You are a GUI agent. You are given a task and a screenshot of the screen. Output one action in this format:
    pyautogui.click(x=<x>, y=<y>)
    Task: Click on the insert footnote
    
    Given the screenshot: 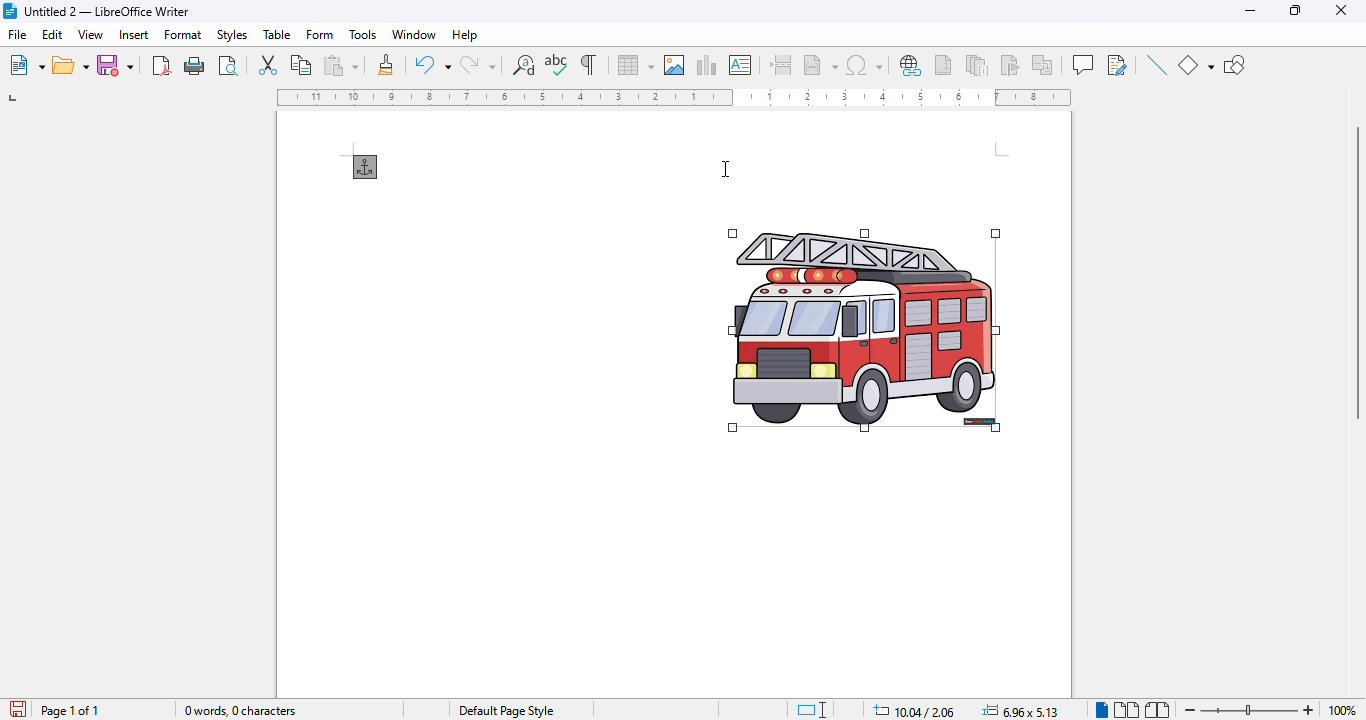 What is the action you would take?
    pyautogui.click(x=943, y=65)
    